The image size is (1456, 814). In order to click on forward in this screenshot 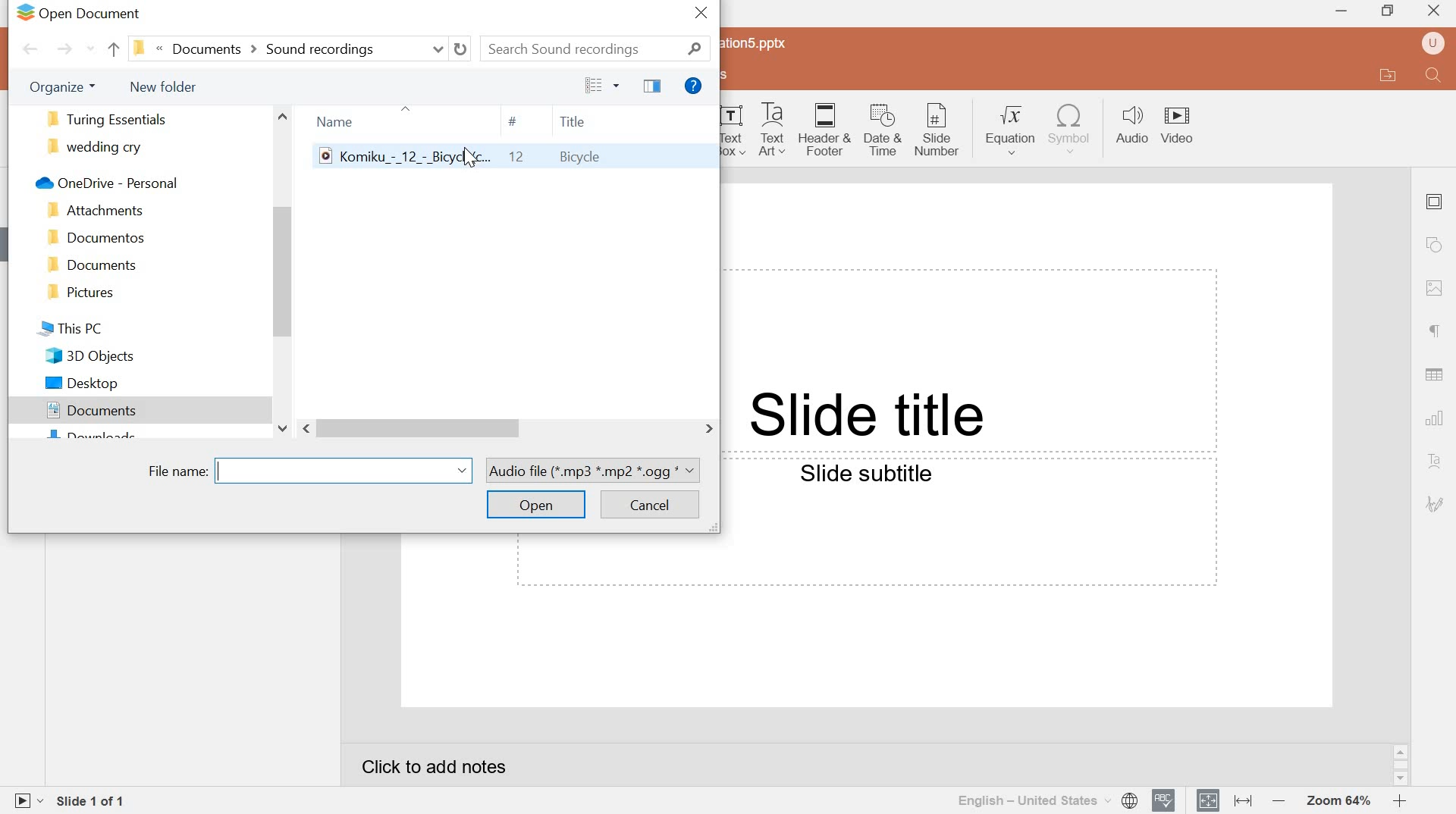, I will do `click(62, 49)`.